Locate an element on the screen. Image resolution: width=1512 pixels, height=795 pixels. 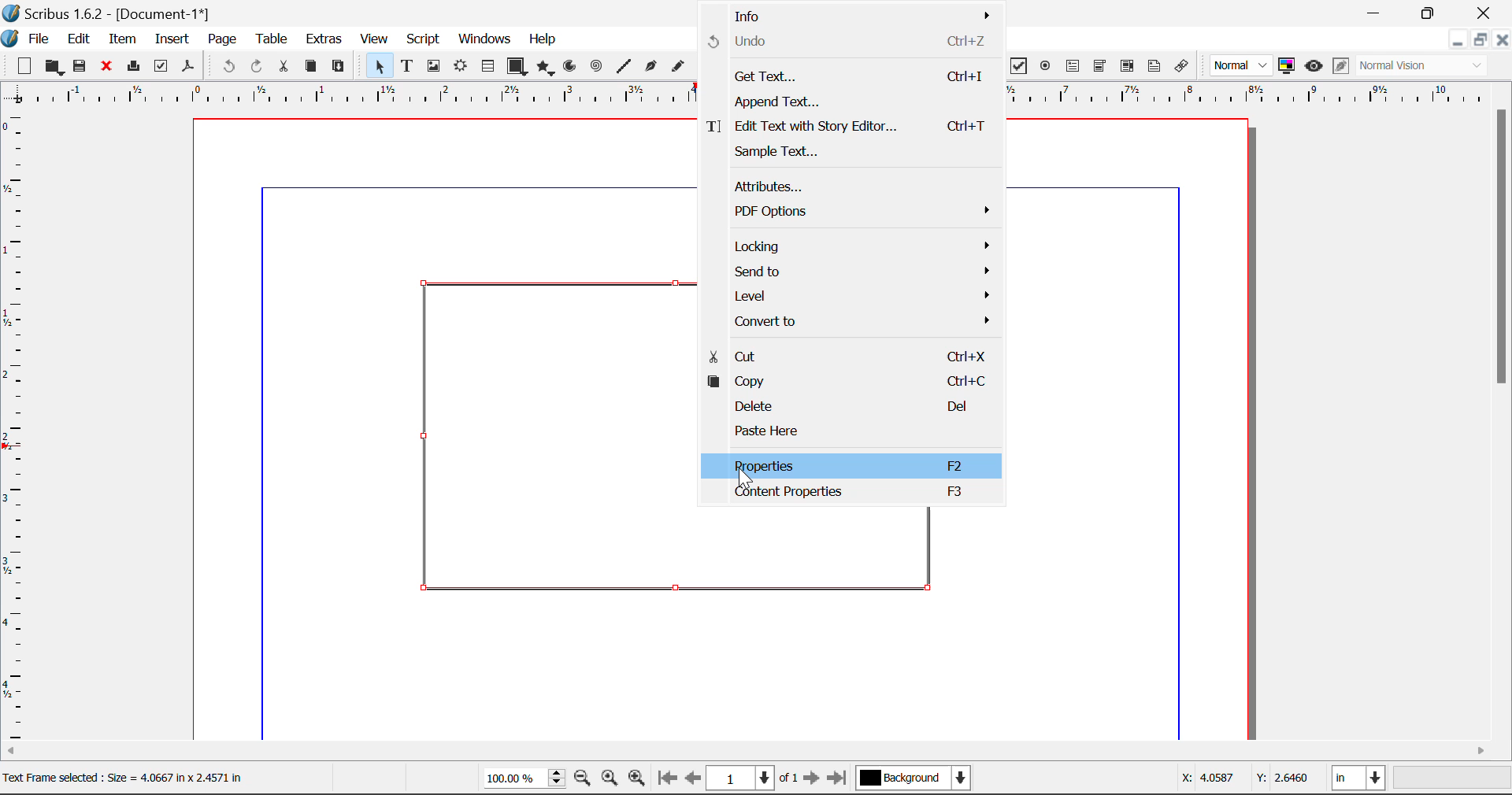
Minimize is located at coordinates (1431, 12).